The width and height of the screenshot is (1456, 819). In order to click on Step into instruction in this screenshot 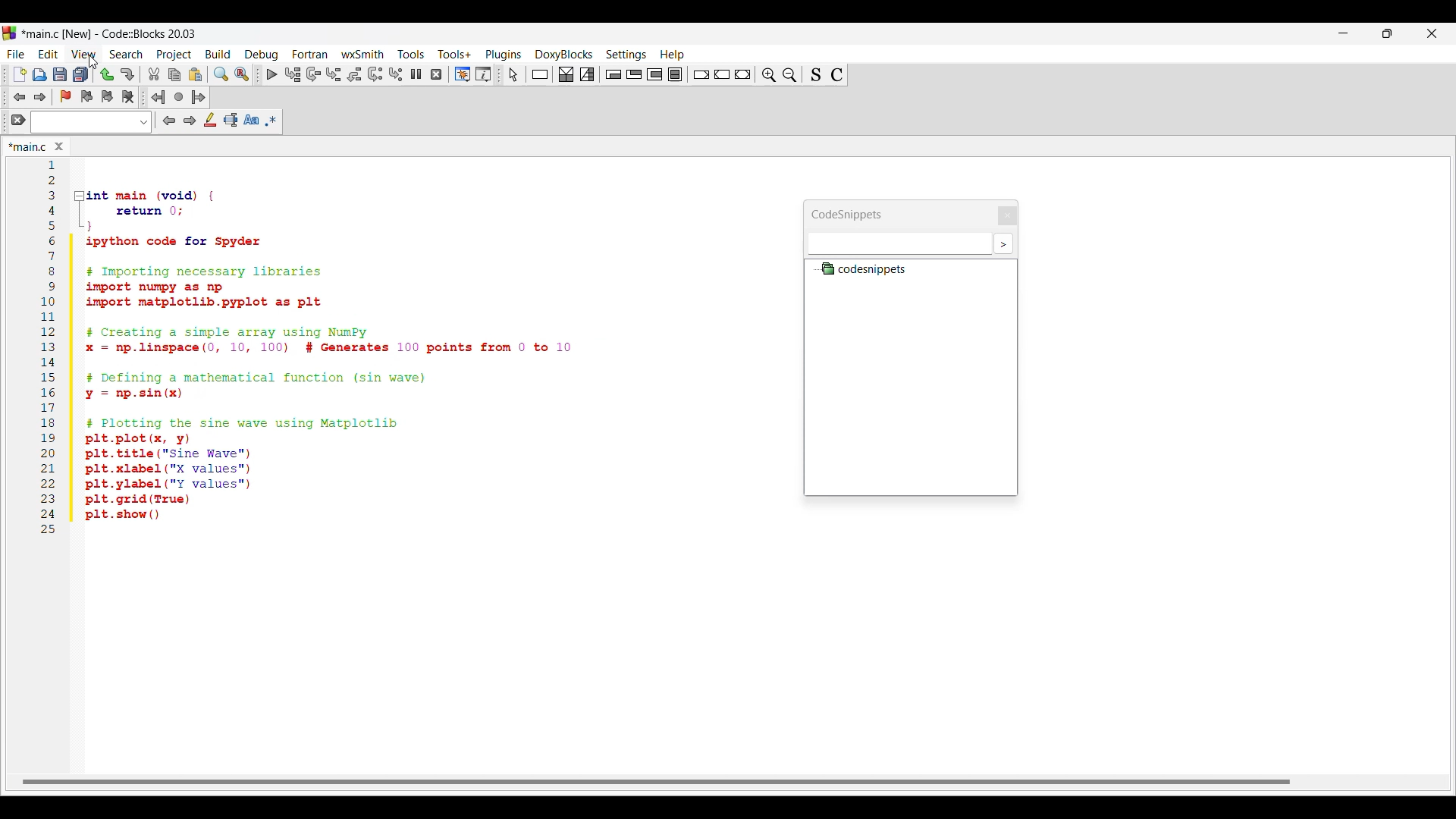, I will do `click(395, 74)`.